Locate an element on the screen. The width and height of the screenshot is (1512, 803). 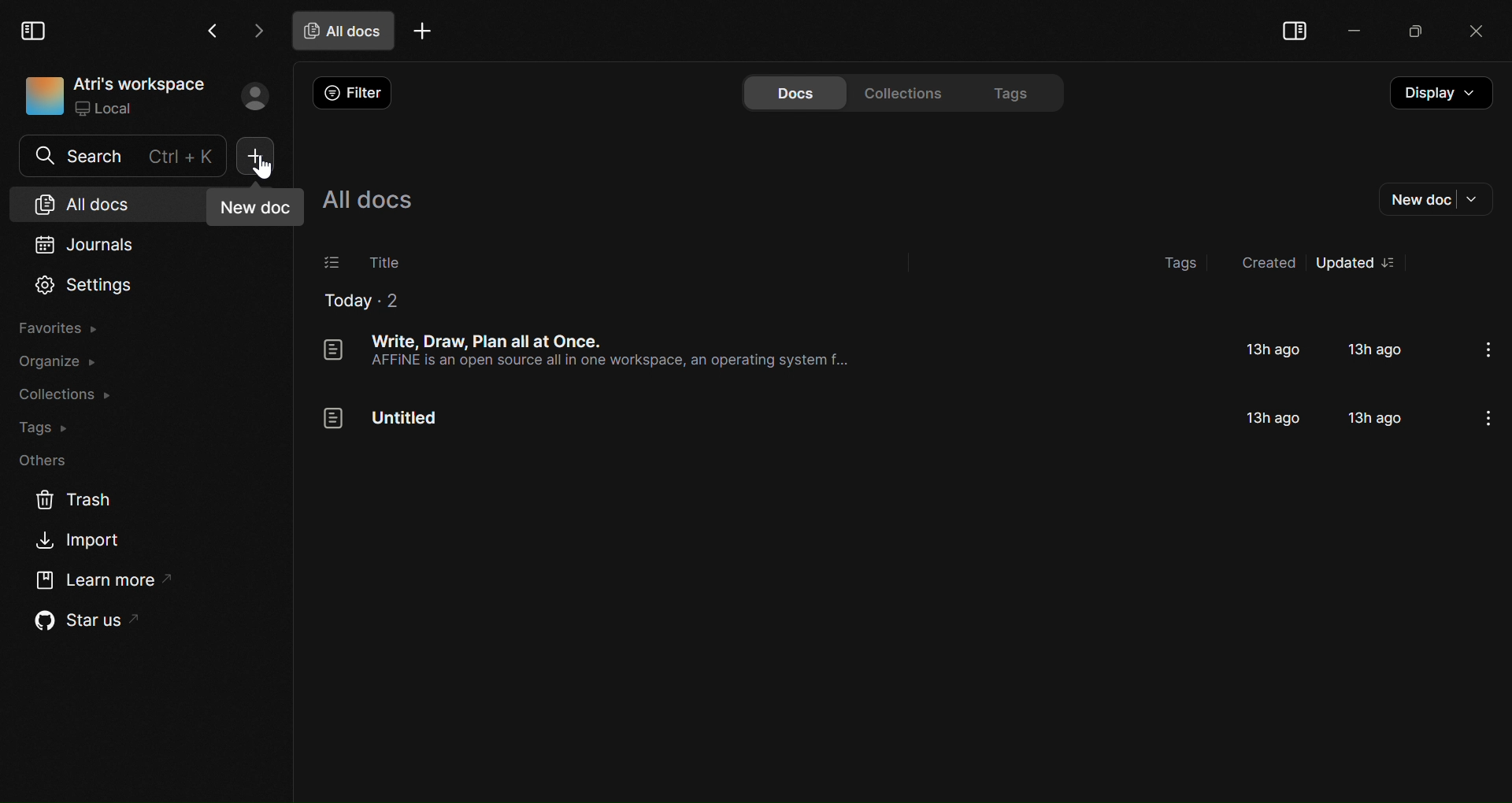
Others is located at coordinates (48, 461).